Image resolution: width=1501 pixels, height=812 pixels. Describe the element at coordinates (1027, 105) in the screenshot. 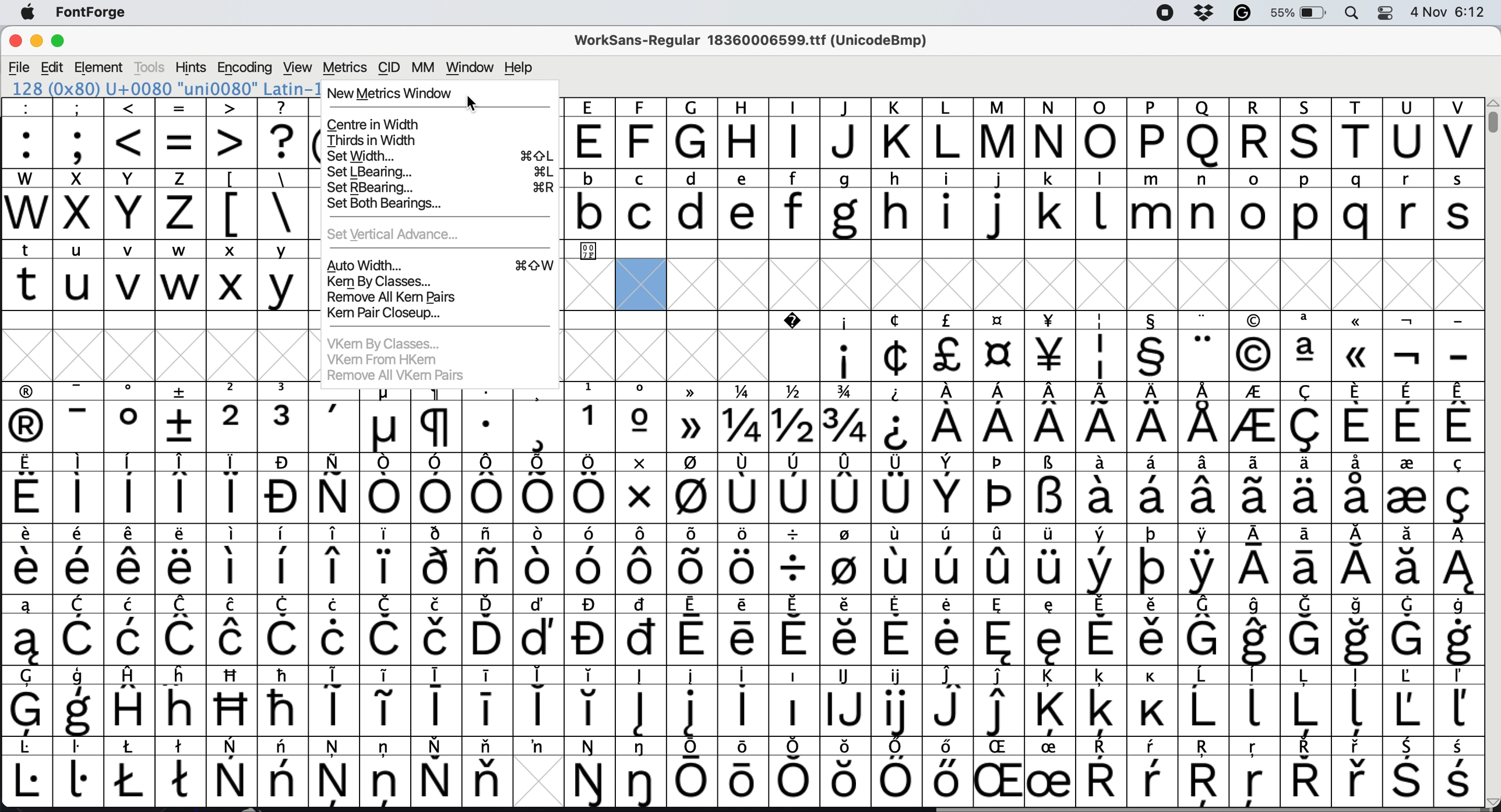

I see `text` at that location.